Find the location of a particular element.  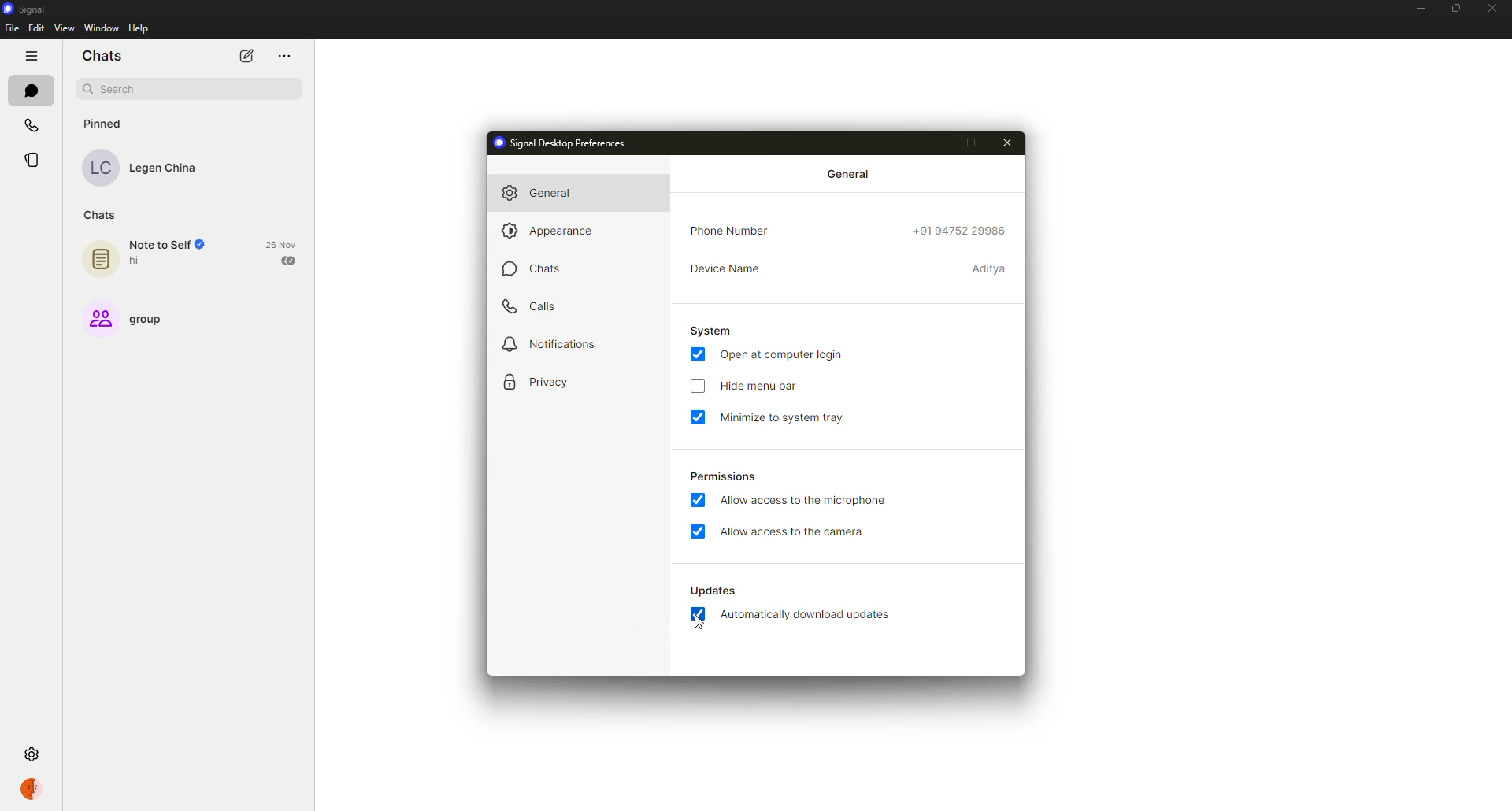

permissions is located at coordinates (721, 478).